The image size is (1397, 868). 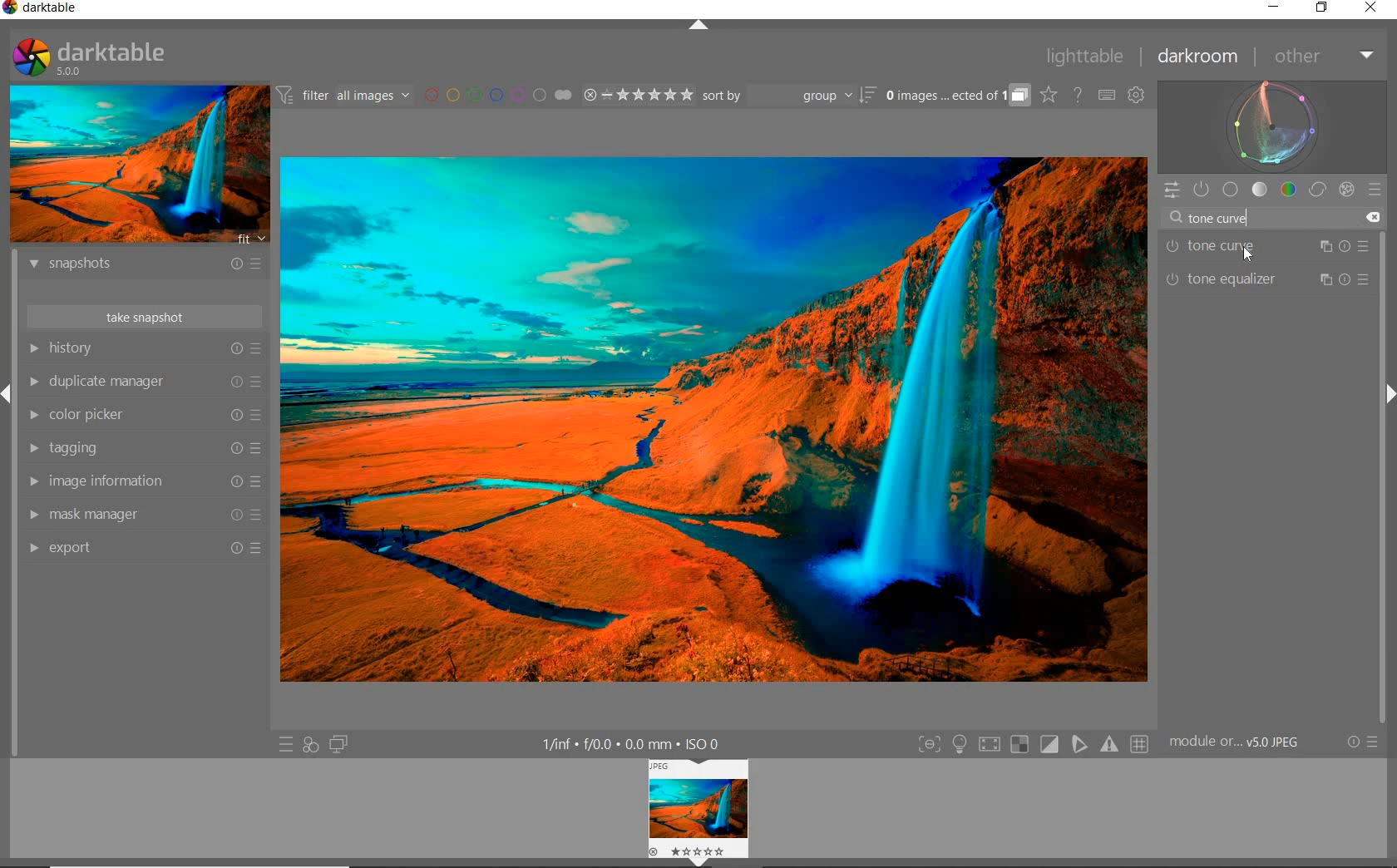 What do you see at coordinates (144, 315) in the screenshot?
I see `take snapshot` at bounding box center [144, 315].